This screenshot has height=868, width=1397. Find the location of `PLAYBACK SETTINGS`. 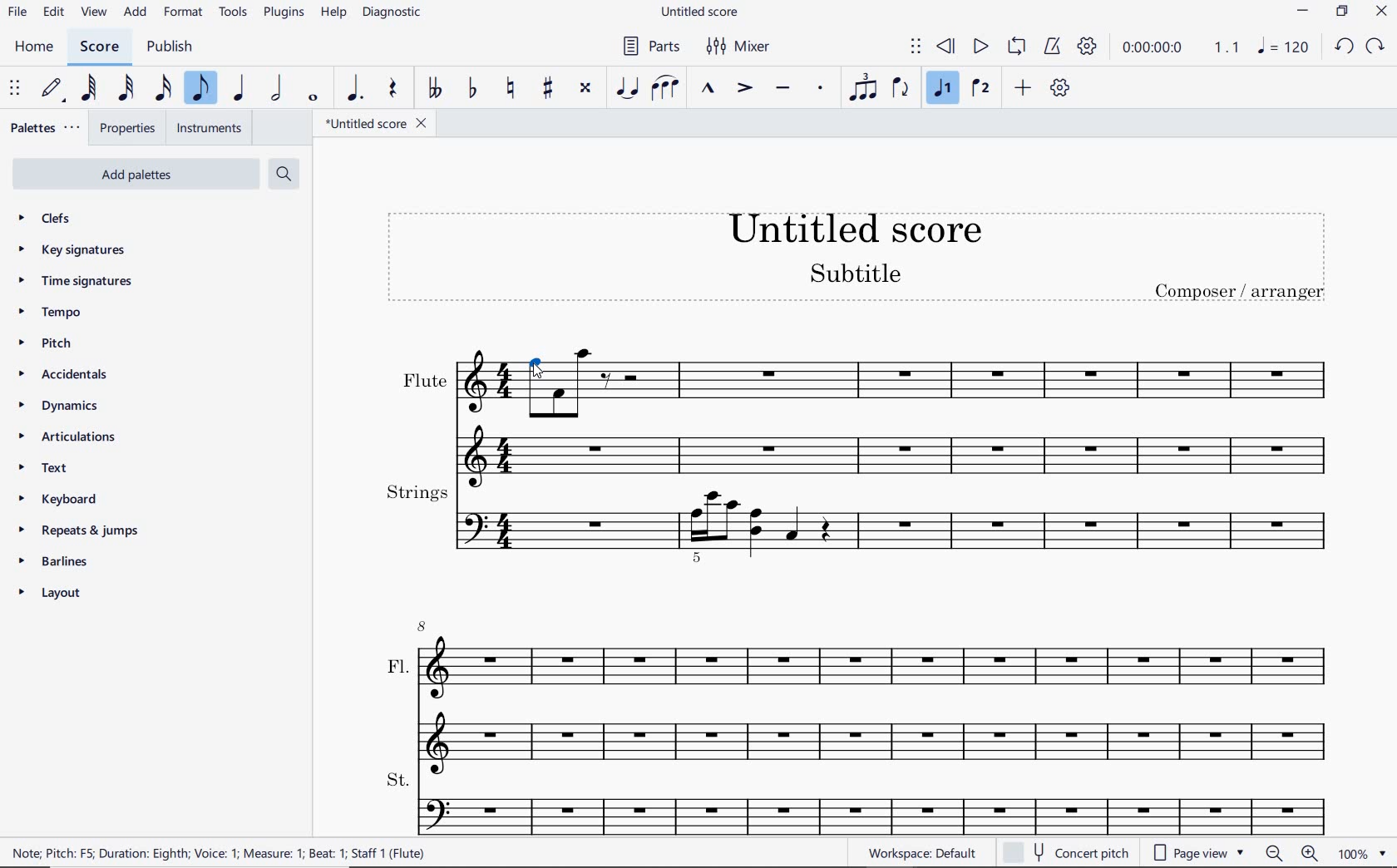

PLAYBACK SETTINGS is located at coordinates (1087, 46).